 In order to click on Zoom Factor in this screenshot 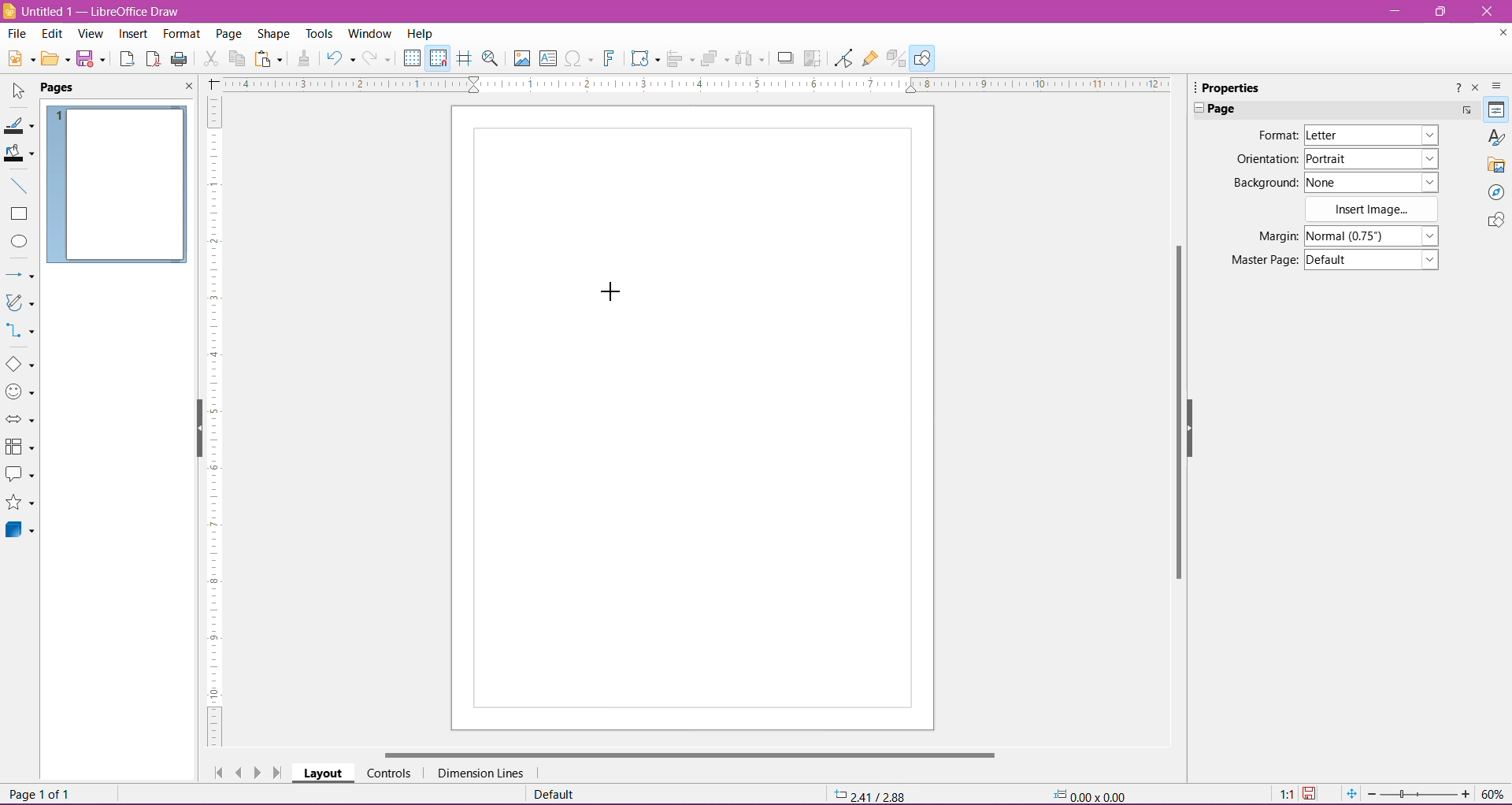, I will do `click(1494, 794)`.